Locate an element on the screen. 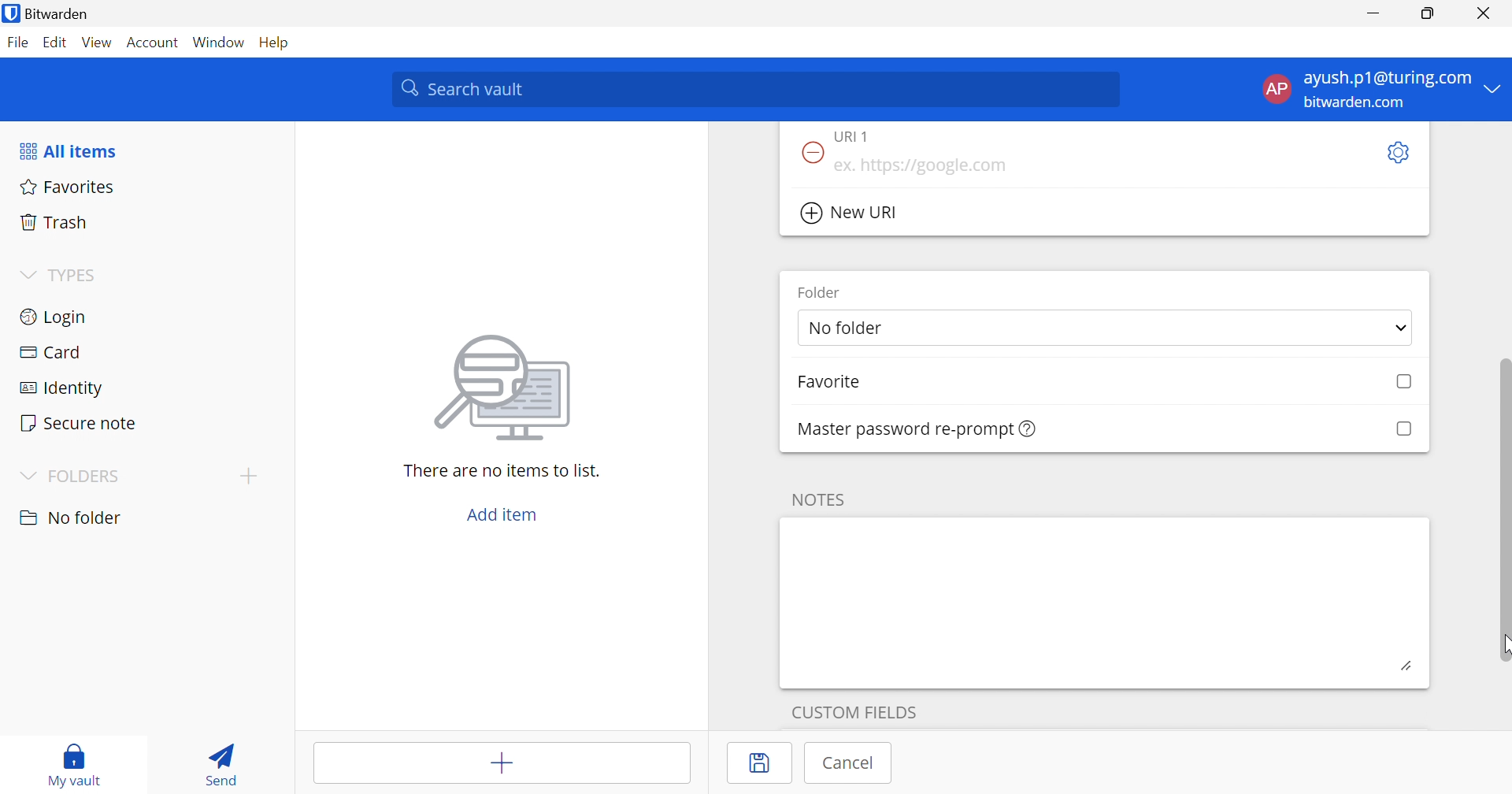  Save is located at coordinates (762, 763).